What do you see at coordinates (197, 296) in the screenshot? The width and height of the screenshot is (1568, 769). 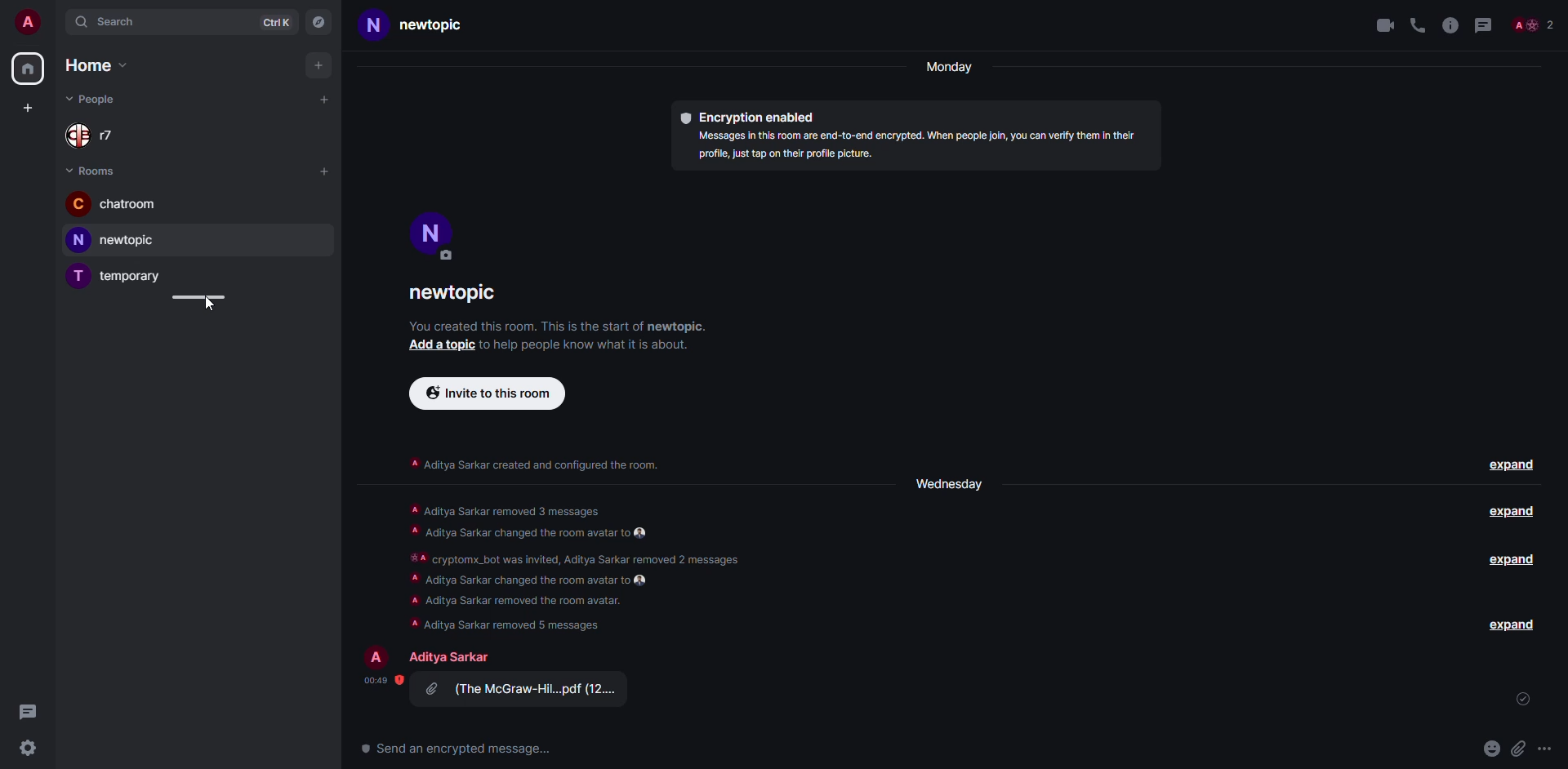 I see `adjust` at bounding box center [197, 296].